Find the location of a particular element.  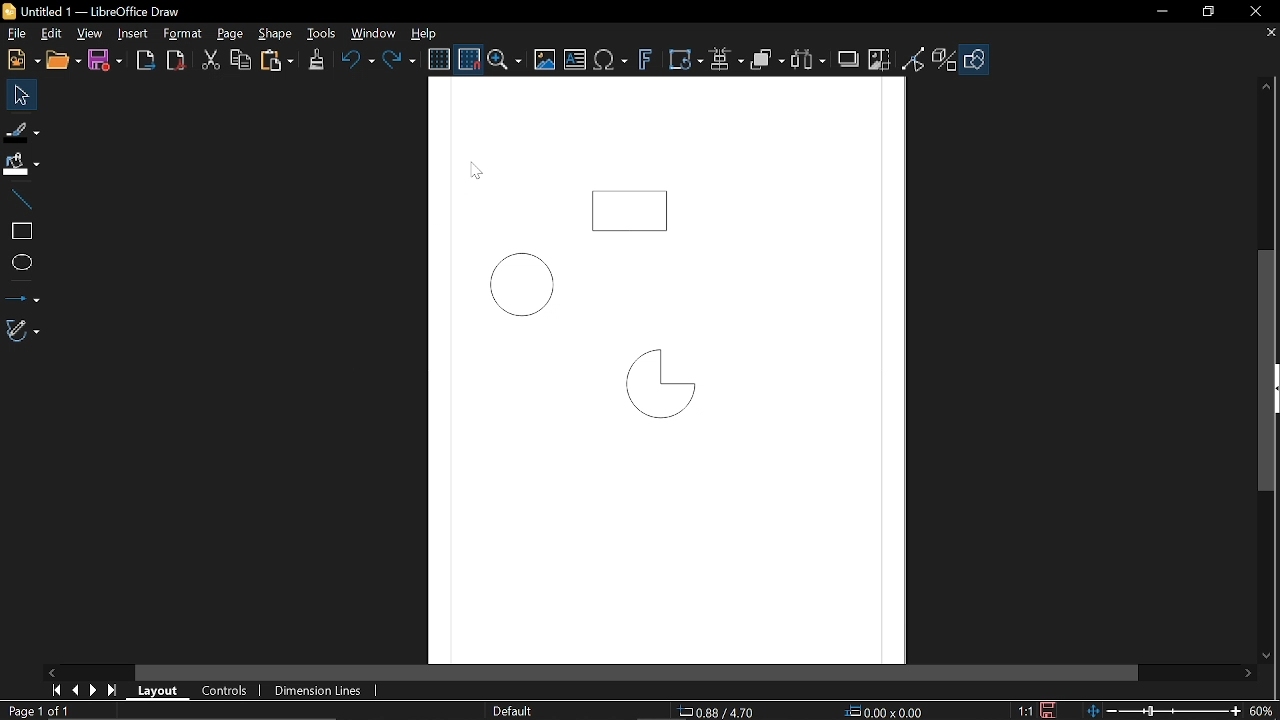

Export is located at coordinates (146, 59).